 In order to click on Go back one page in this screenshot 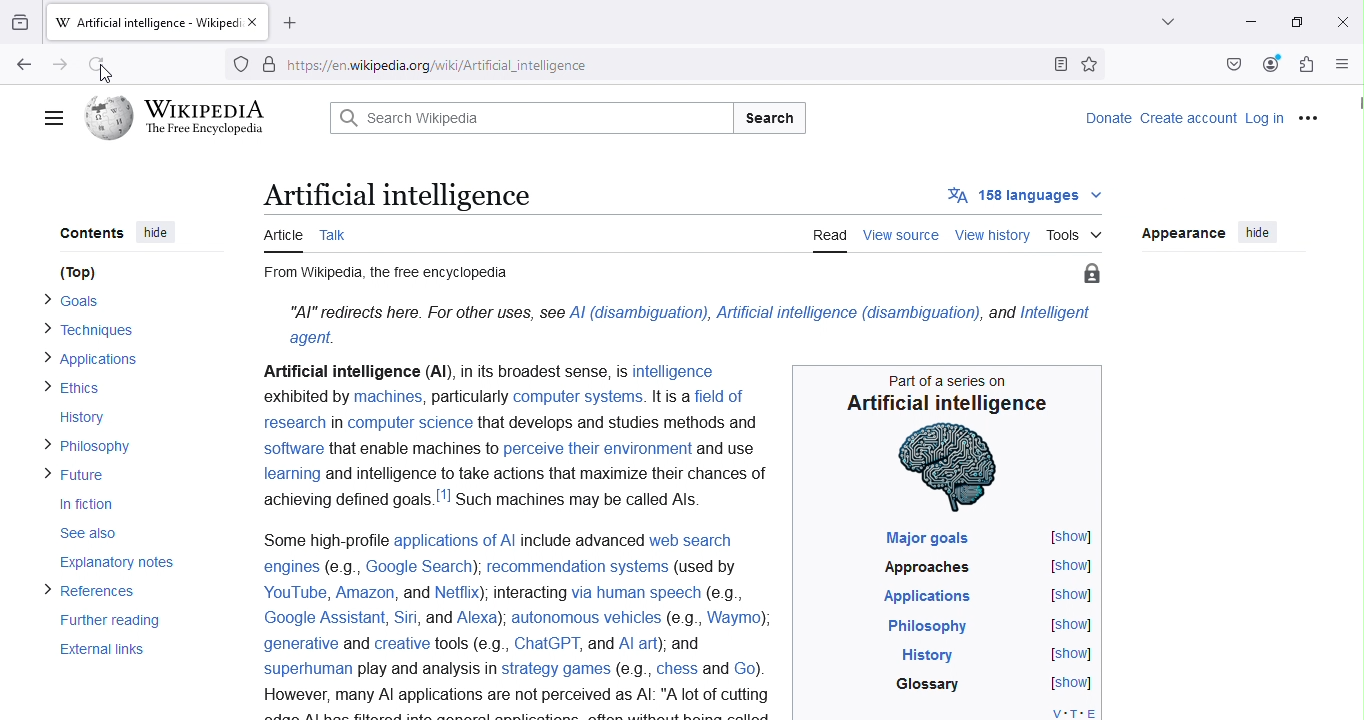, I will do `click(60, 65)`.